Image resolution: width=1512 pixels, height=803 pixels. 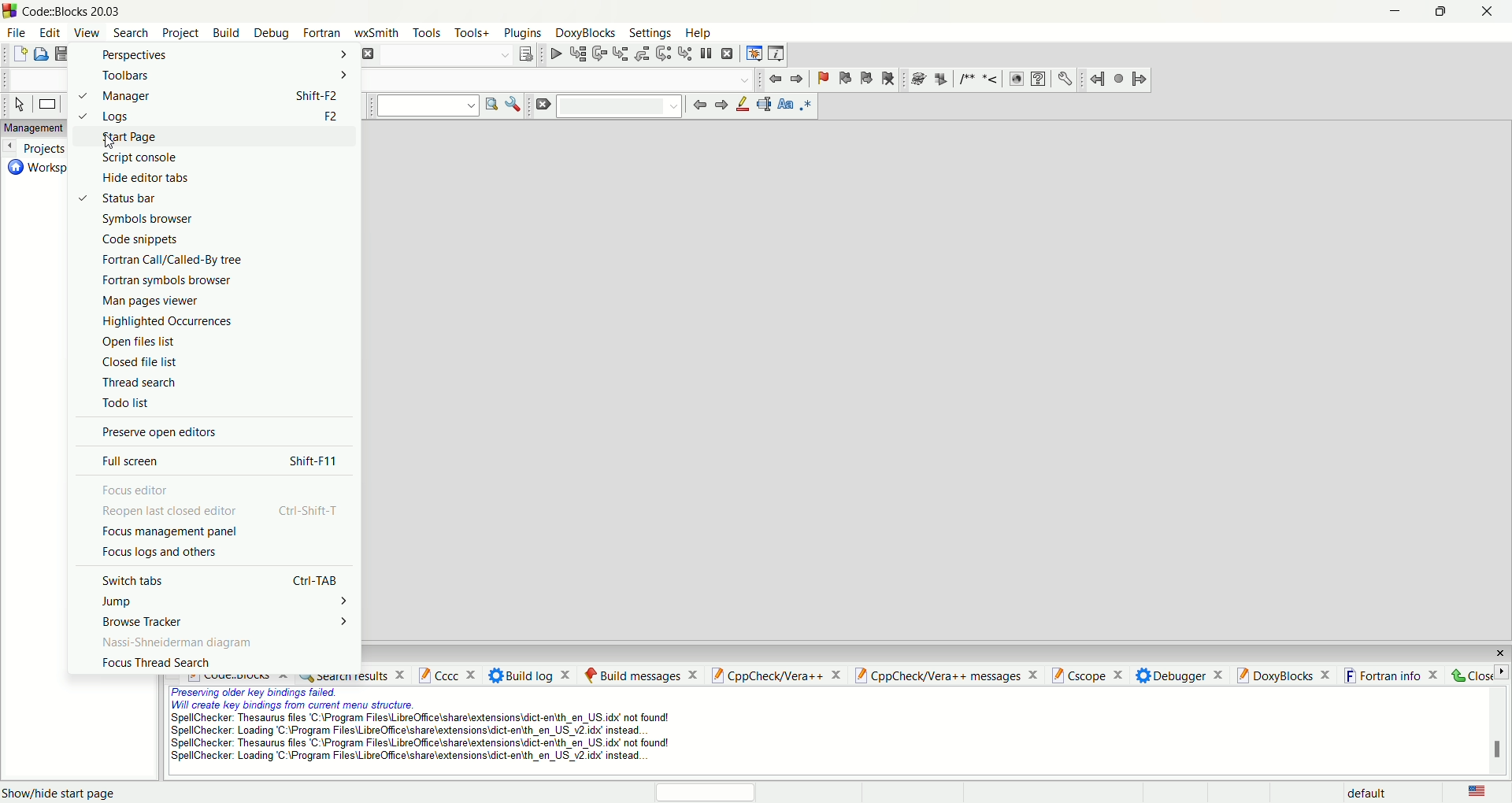 What do you see at coordinates (179, 261) in the screenshot?
I see `fortan call` at bounding box center [179, 261].